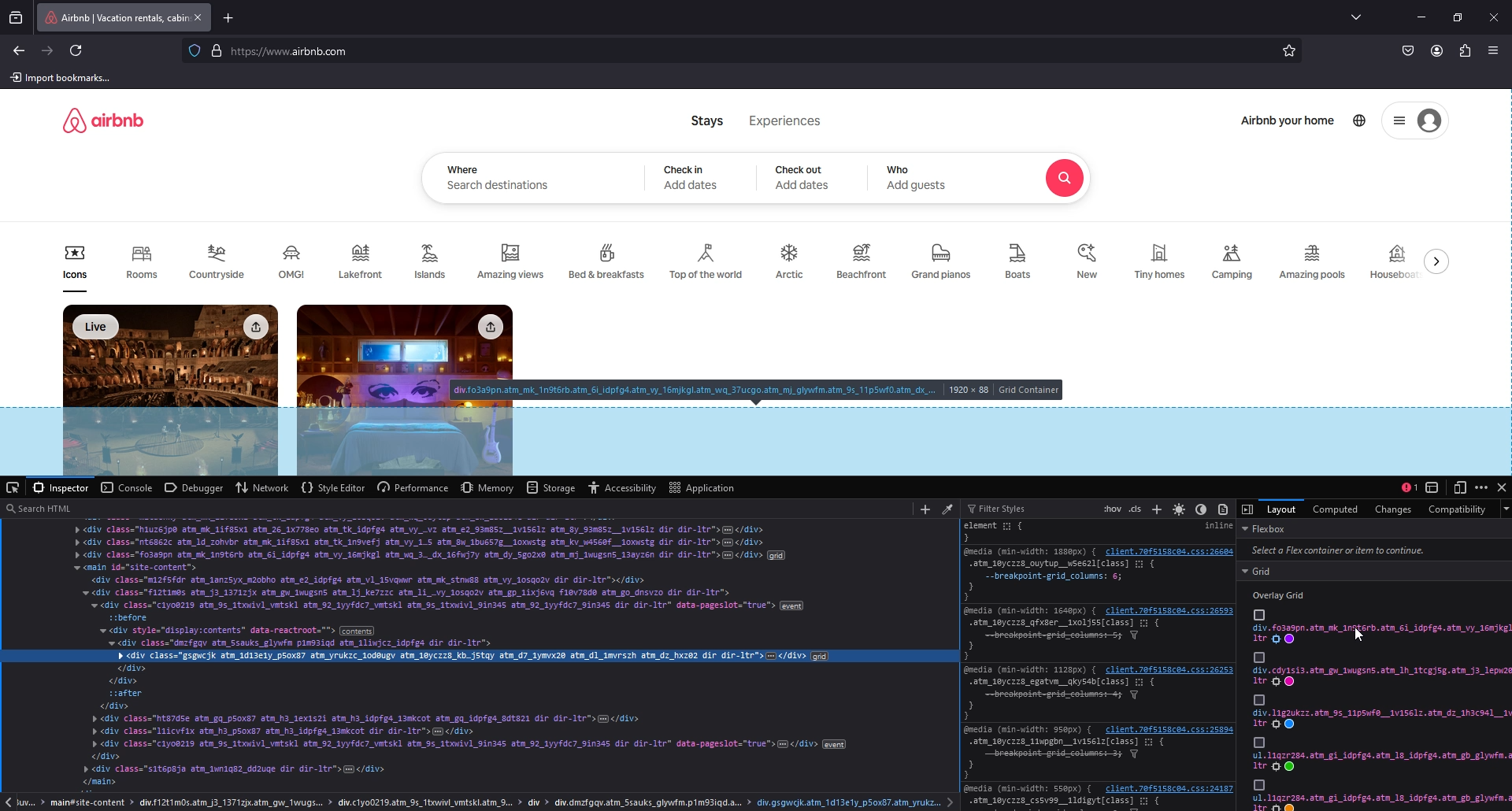 This screenshot has width=1512, height=811. What do you see at coordinates (1158, 509) in the screenshot?
I see `add new rule` at bounding box center [1158, 509].